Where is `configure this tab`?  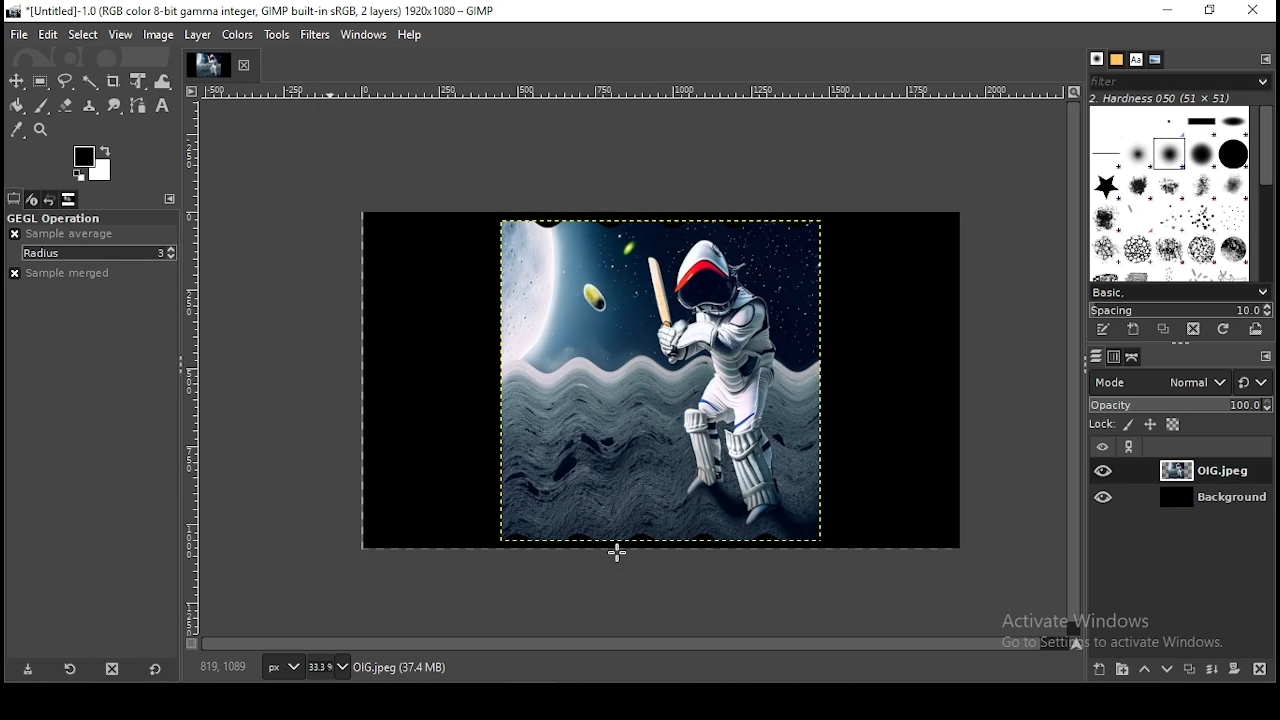
configure this tab is located at coordinates (1263, 58).